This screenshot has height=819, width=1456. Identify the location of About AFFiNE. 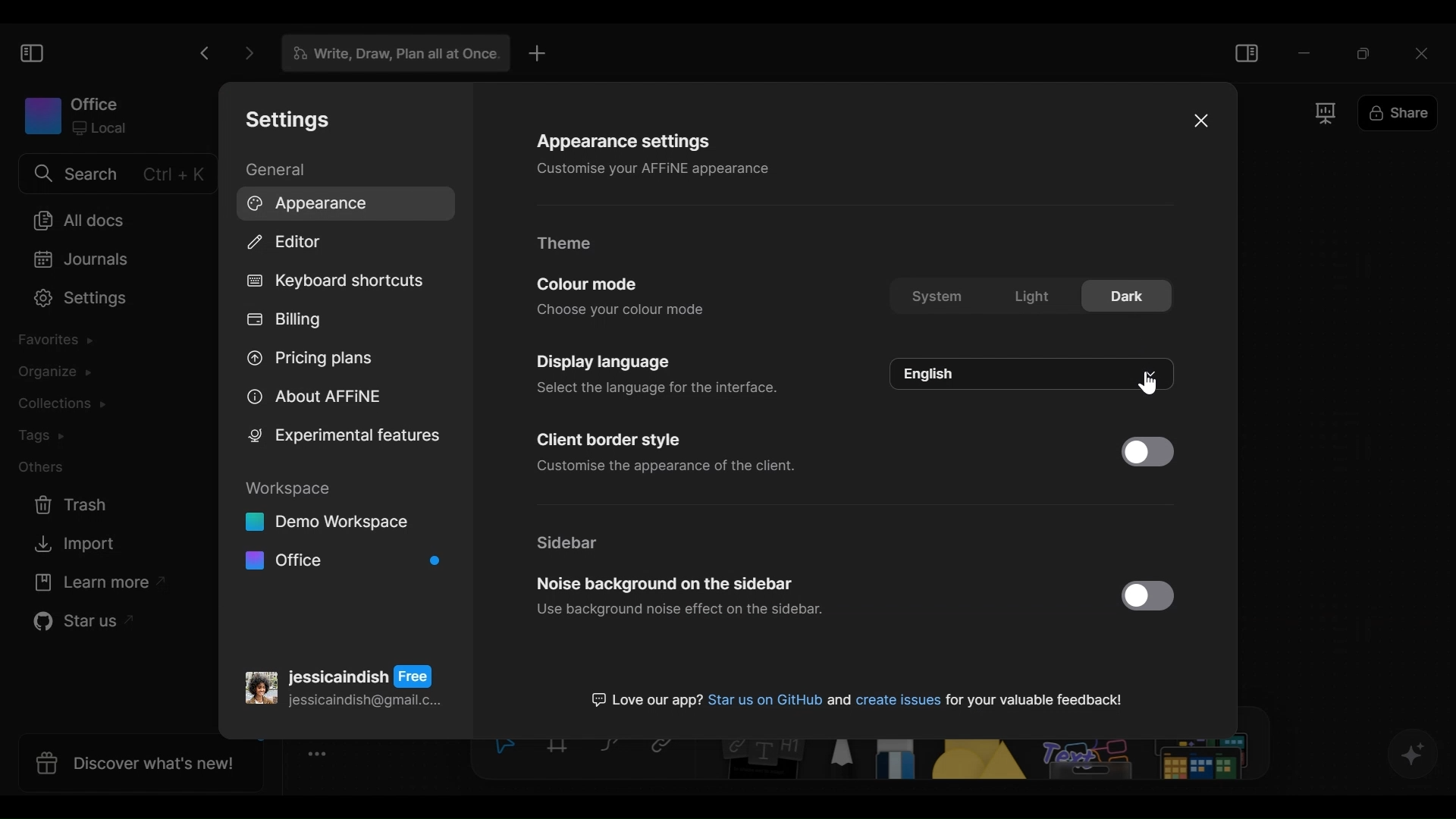
(312, 397).